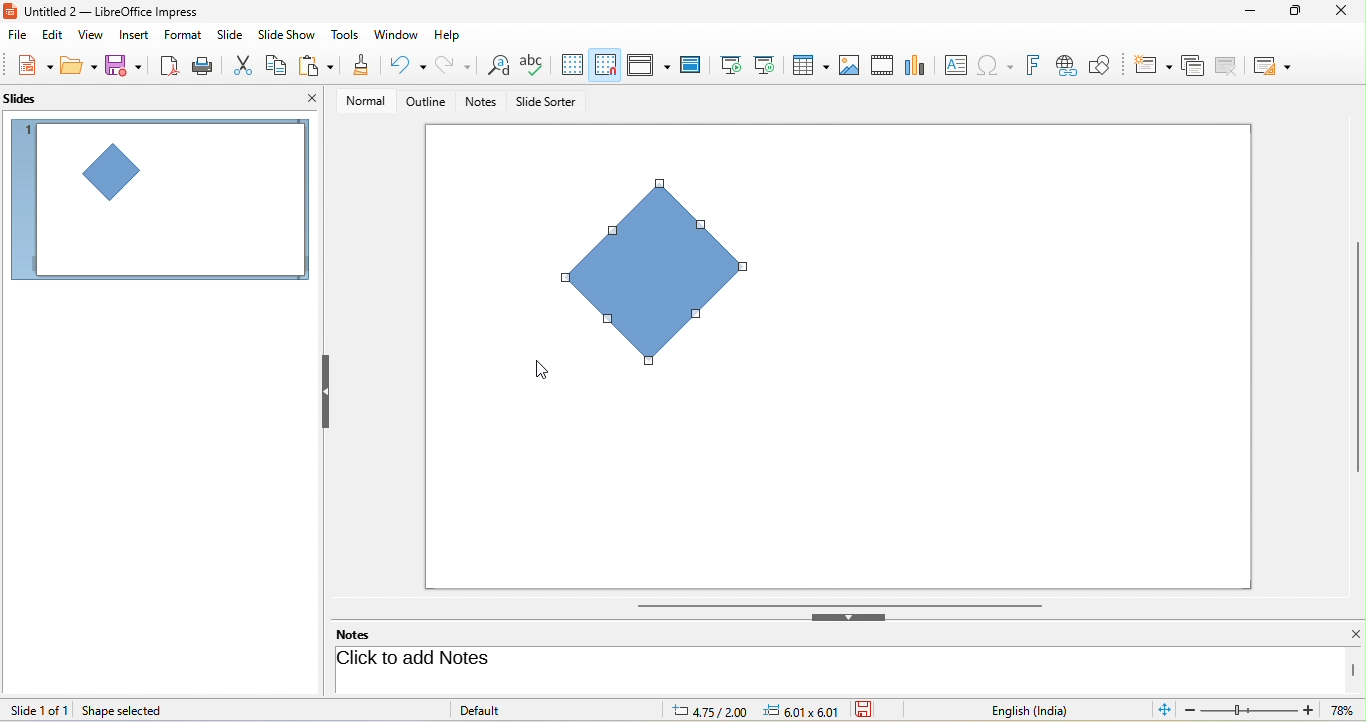 The width and height of the screenshot is (1366, 722). What do you see at coordinates (346, 36) in the screenshot?
I see `tools` at bounding box center [346, 36].